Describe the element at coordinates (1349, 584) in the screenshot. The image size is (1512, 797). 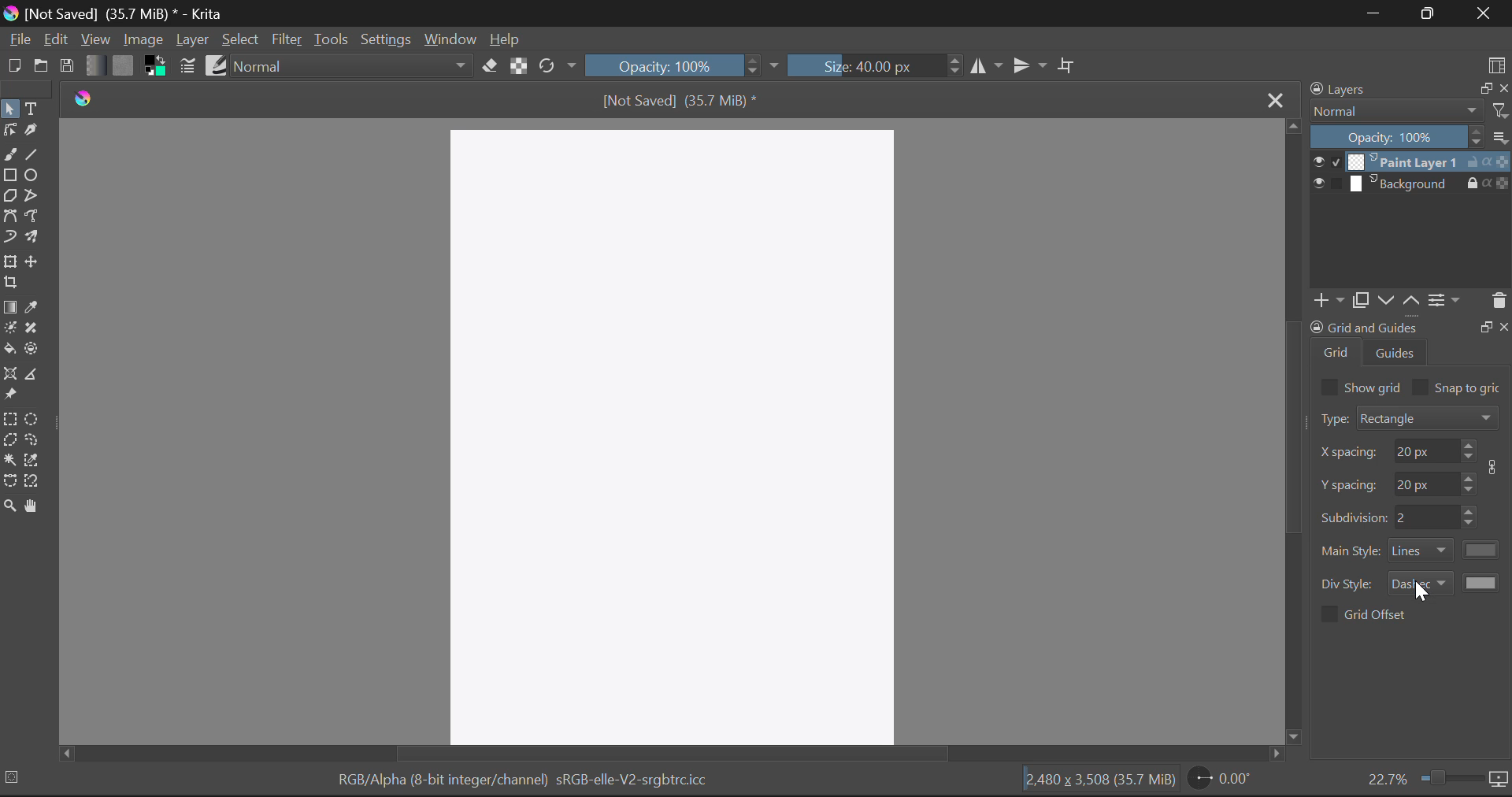
I see `div style` at that location.